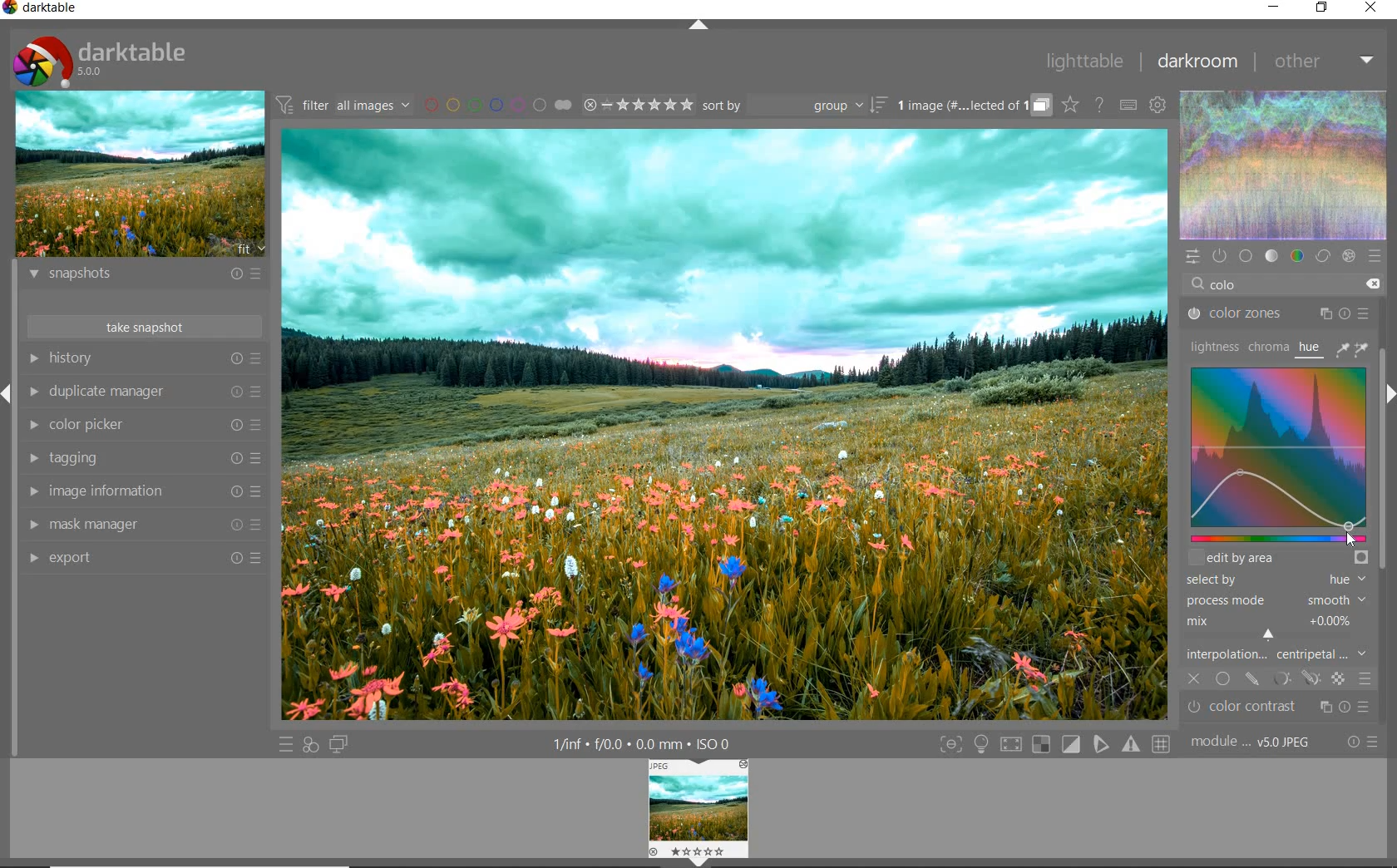  What do you see at coordinates (140, 176) in the screenshot?
I see `image preview` at bounding box center [140, 176].